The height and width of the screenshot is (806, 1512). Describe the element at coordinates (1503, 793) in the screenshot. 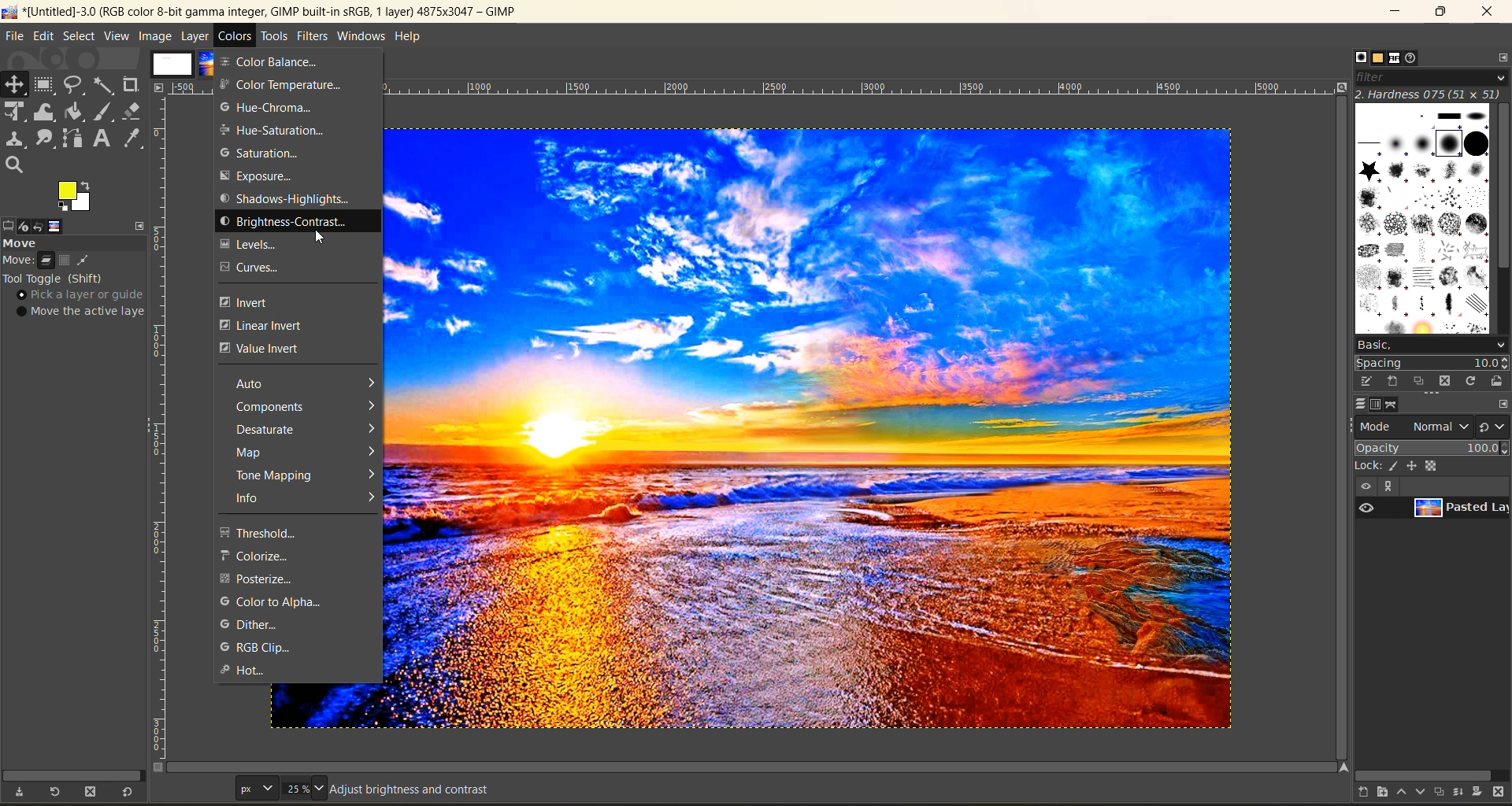

I see `delete this layer` at that location.